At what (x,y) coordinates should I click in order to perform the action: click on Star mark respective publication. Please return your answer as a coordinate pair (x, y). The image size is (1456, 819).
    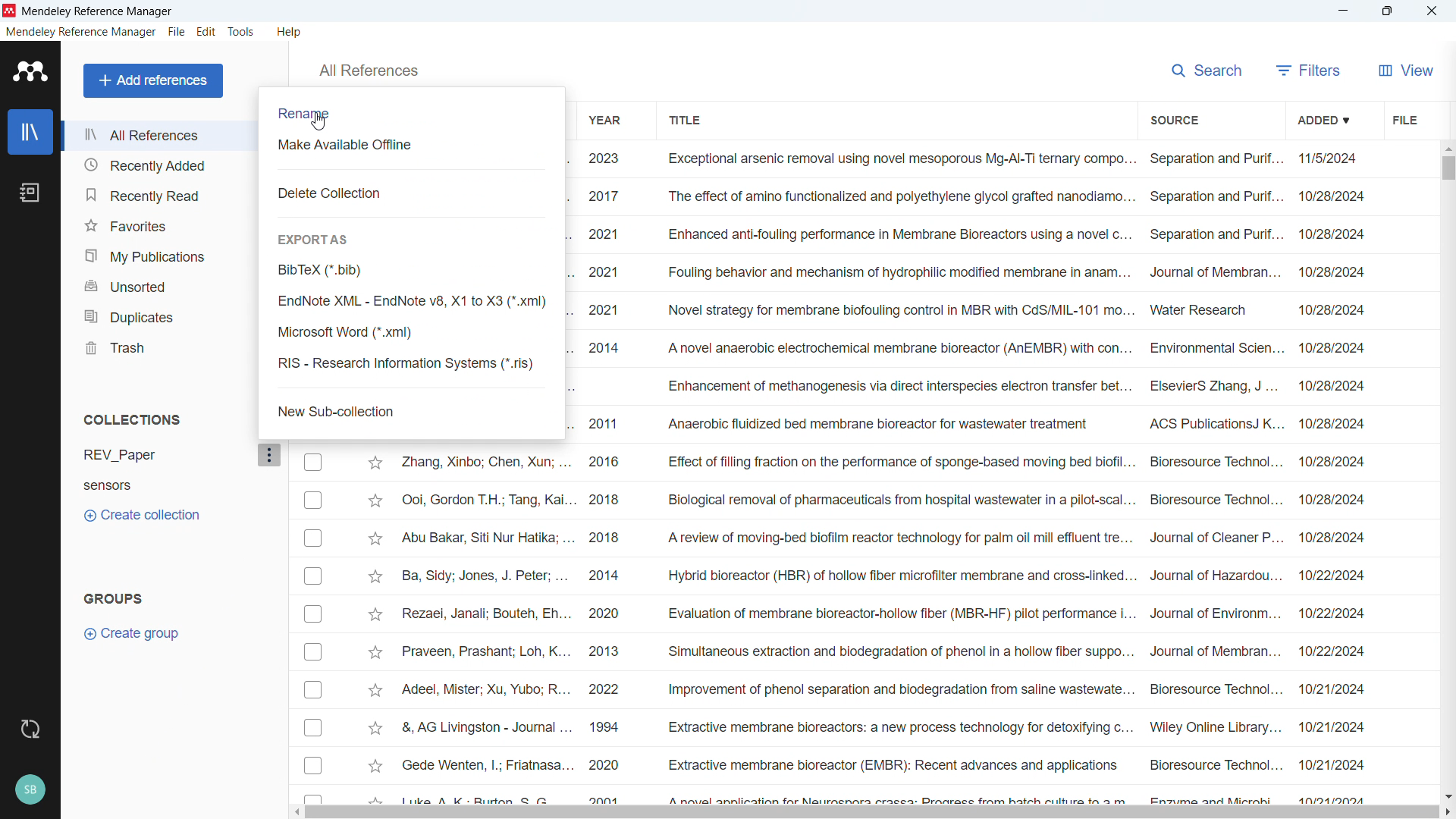
    Looking at the image, I should click on (375, 766).